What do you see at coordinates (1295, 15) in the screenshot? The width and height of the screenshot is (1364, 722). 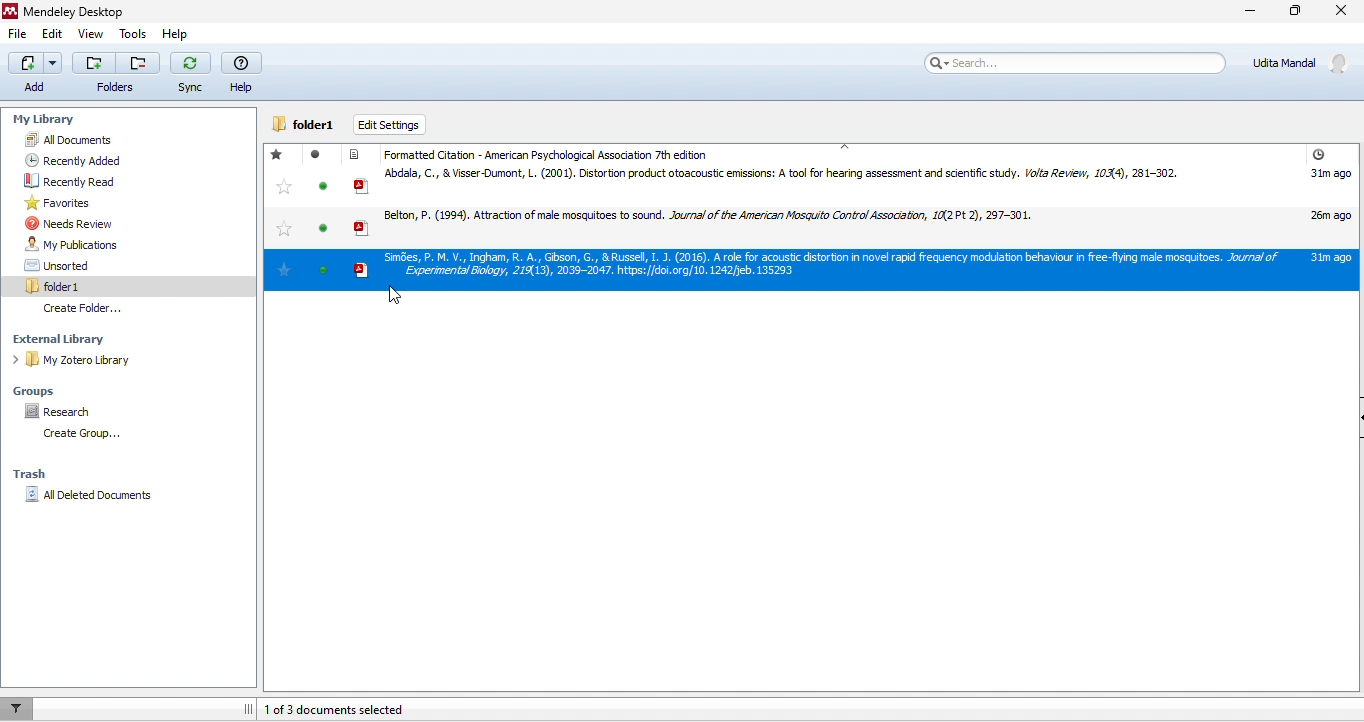 I see `maximize` at bounding box center [1295, 15].